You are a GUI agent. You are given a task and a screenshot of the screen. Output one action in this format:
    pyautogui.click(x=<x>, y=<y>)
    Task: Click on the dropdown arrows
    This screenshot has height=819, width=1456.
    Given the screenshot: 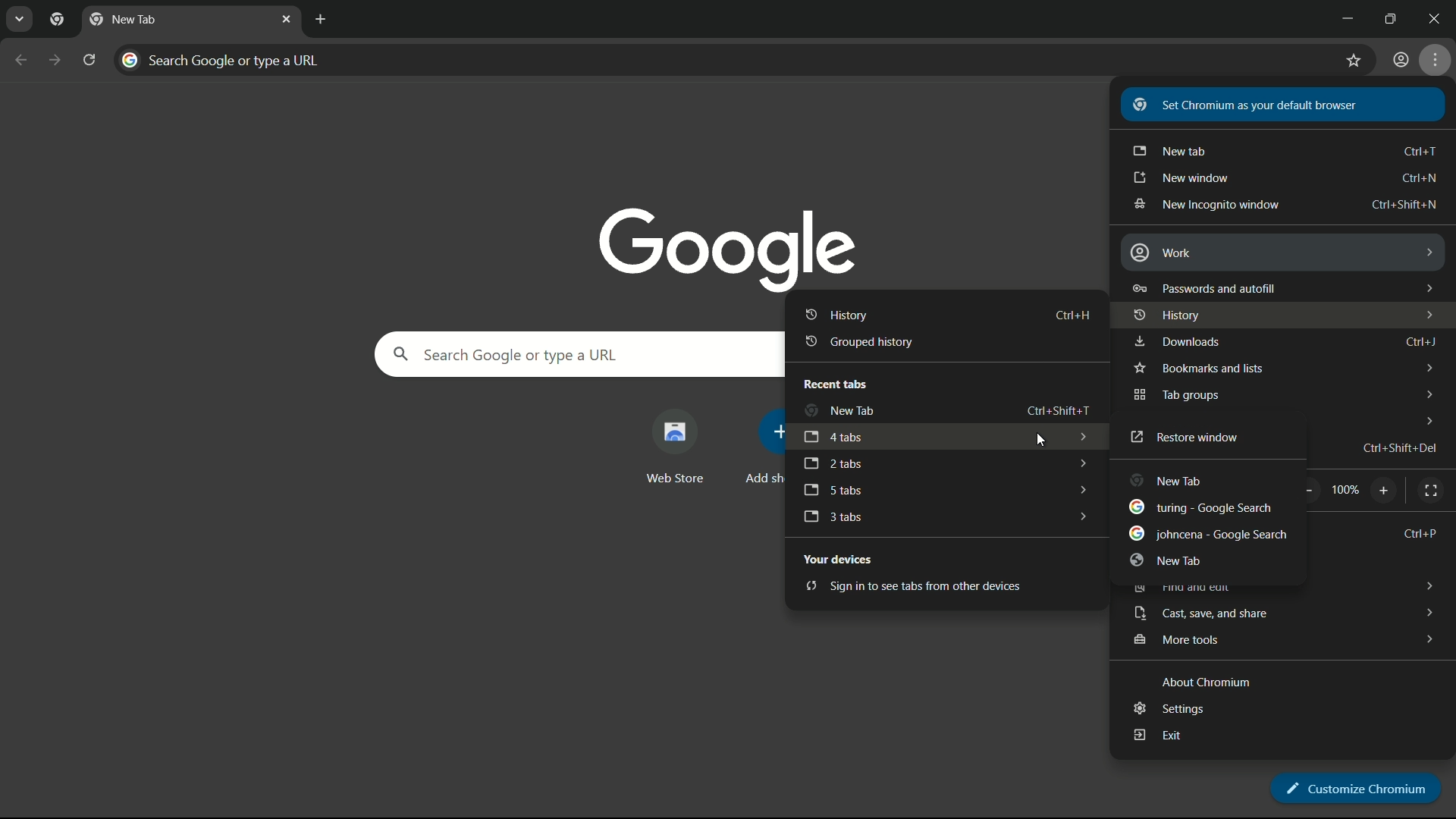 What is the action you would take?
    pyautogui.click(x=1427, y=639)
    